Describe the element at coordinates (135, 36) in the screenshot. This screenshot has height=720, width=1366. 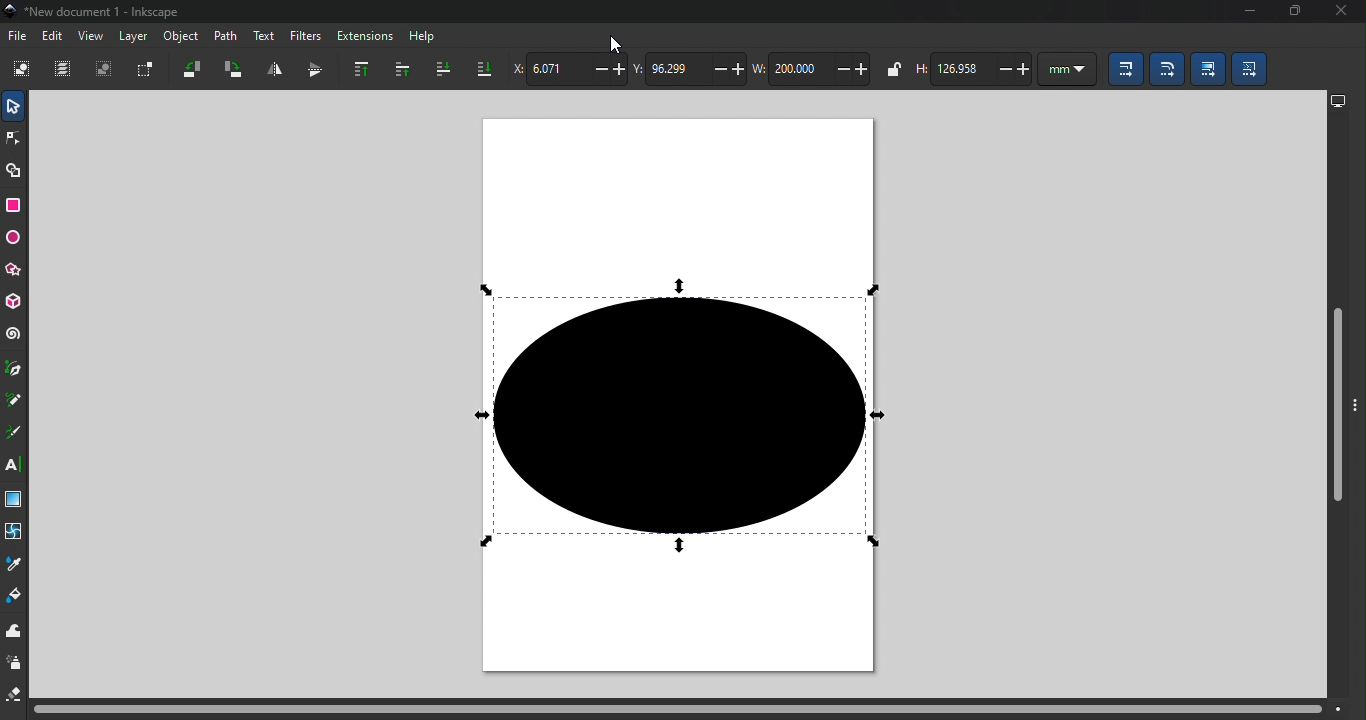
I see `Layer` at that location.